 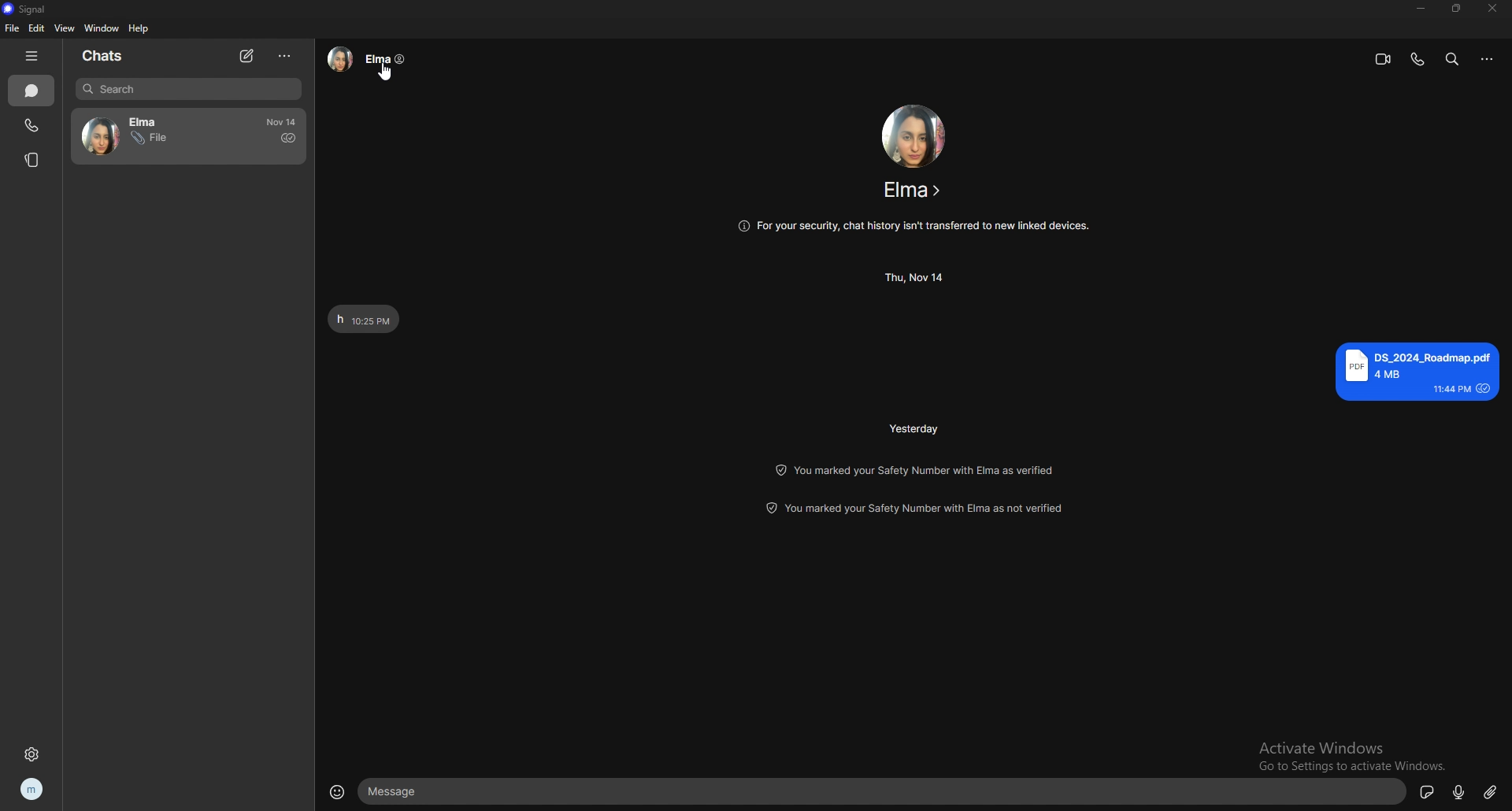 What do you see at coordinates (1428, 791) in the screenshot?
I see `sticker` at bounding box center [1428, 791].